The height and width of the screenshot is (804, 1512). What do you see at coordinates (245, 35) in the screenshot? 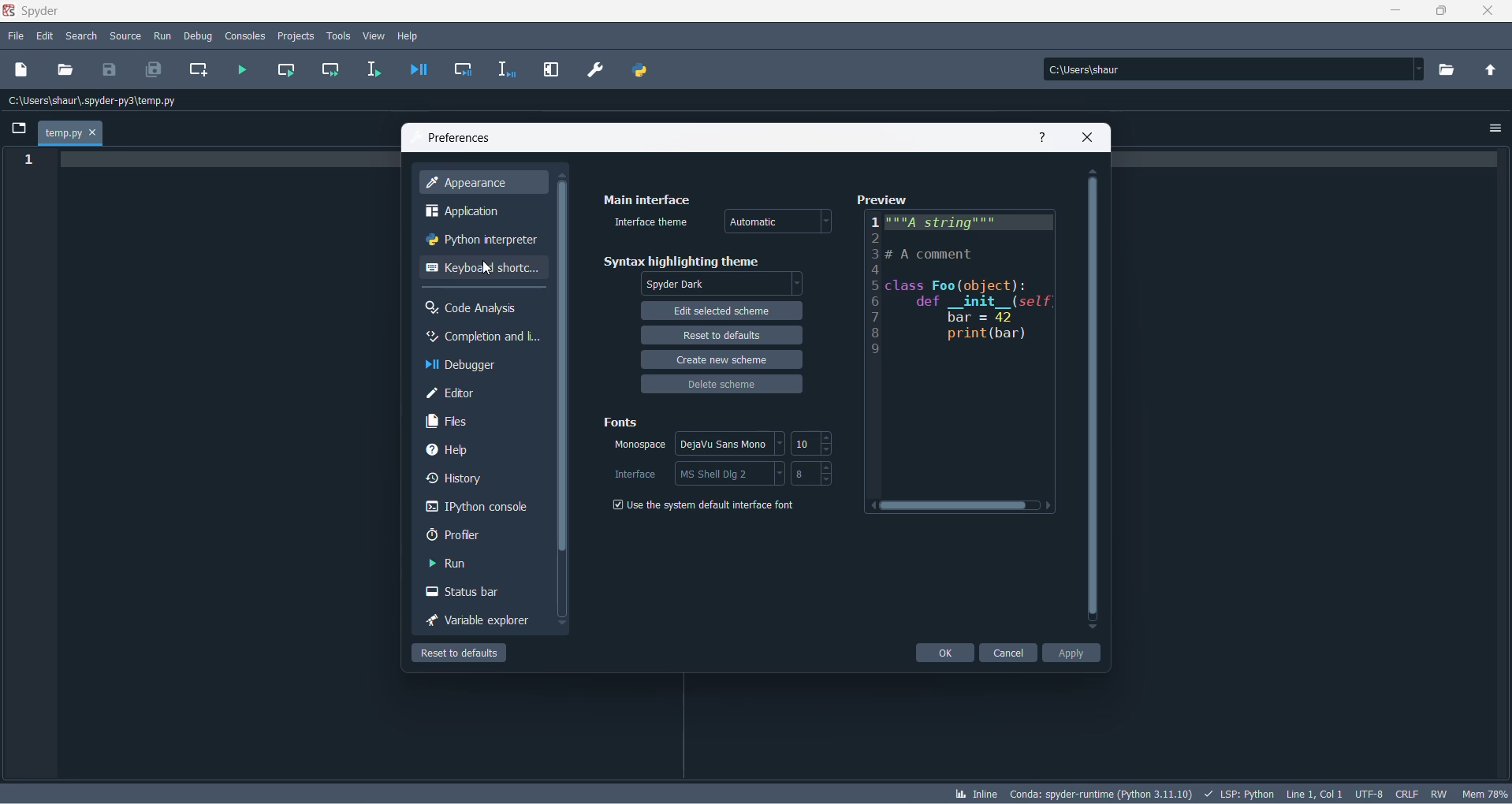
I see `consoles` at bounding box center [245, 35].